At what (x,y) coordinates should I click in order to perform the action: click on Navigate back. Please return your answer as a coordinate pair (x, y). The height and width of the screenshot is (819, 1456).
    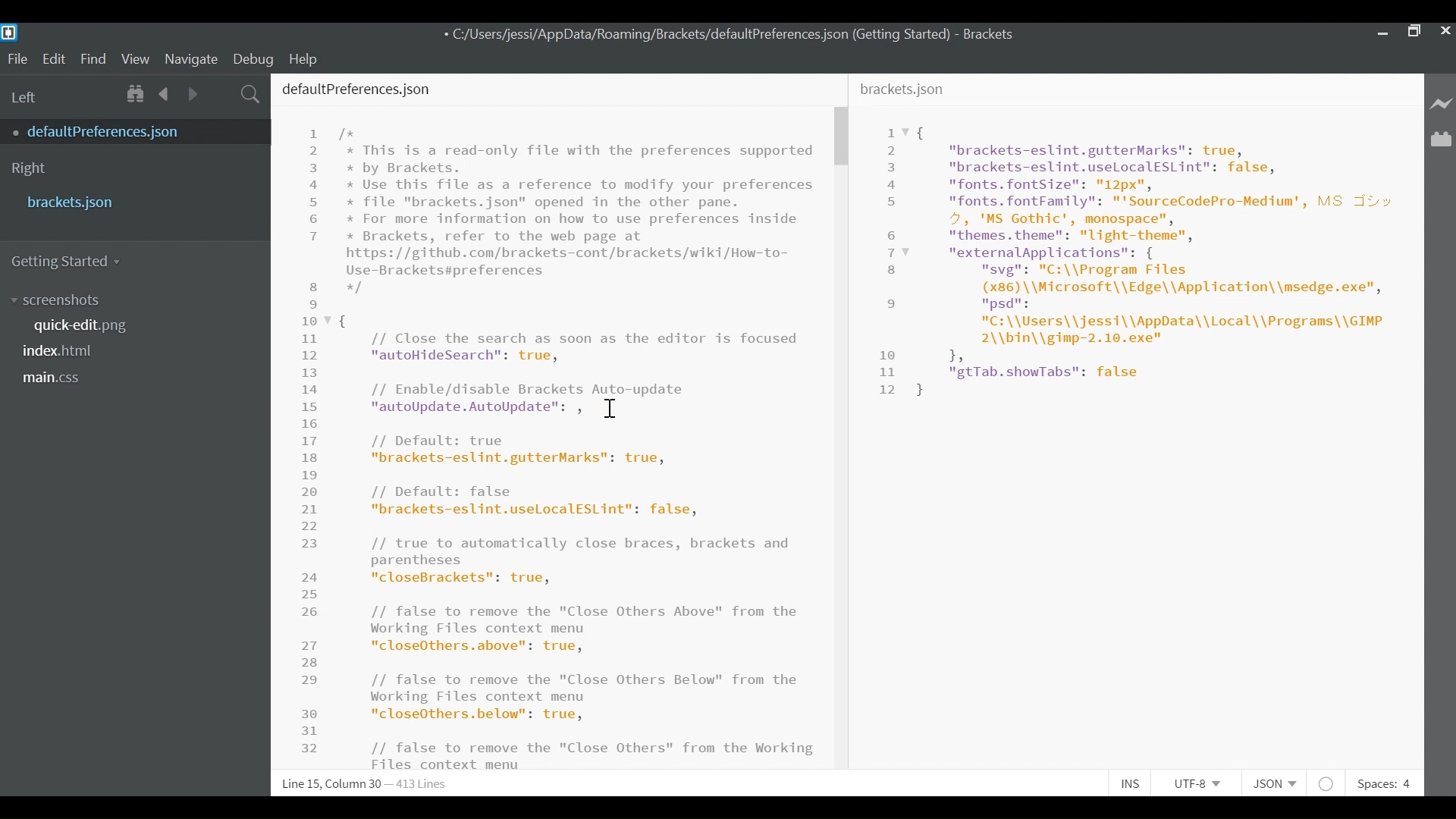
    Looking at the image, I should click on (165, 93).